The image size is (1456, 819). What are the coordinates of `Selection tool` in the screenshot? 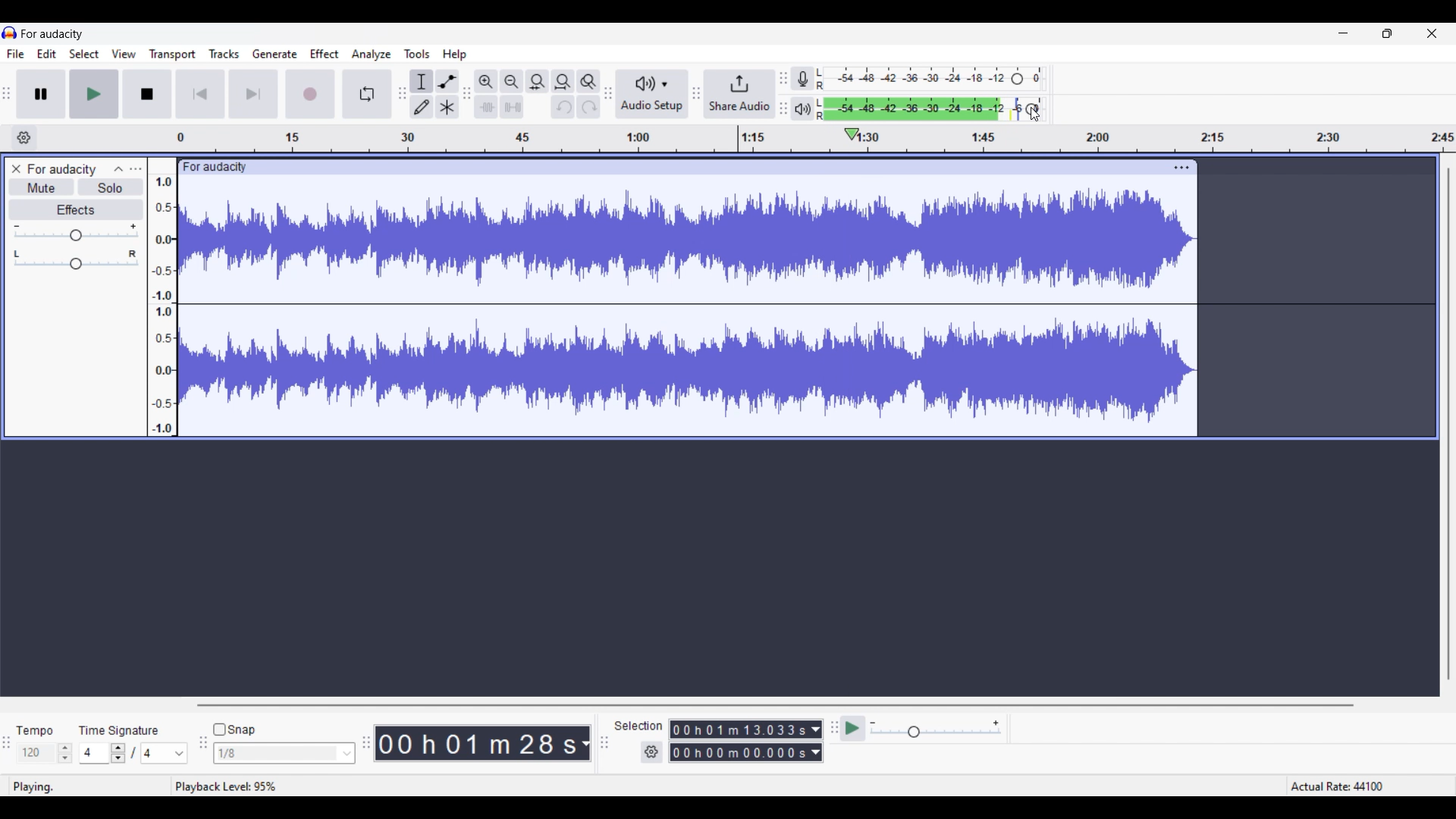 It's located at (422, 81).